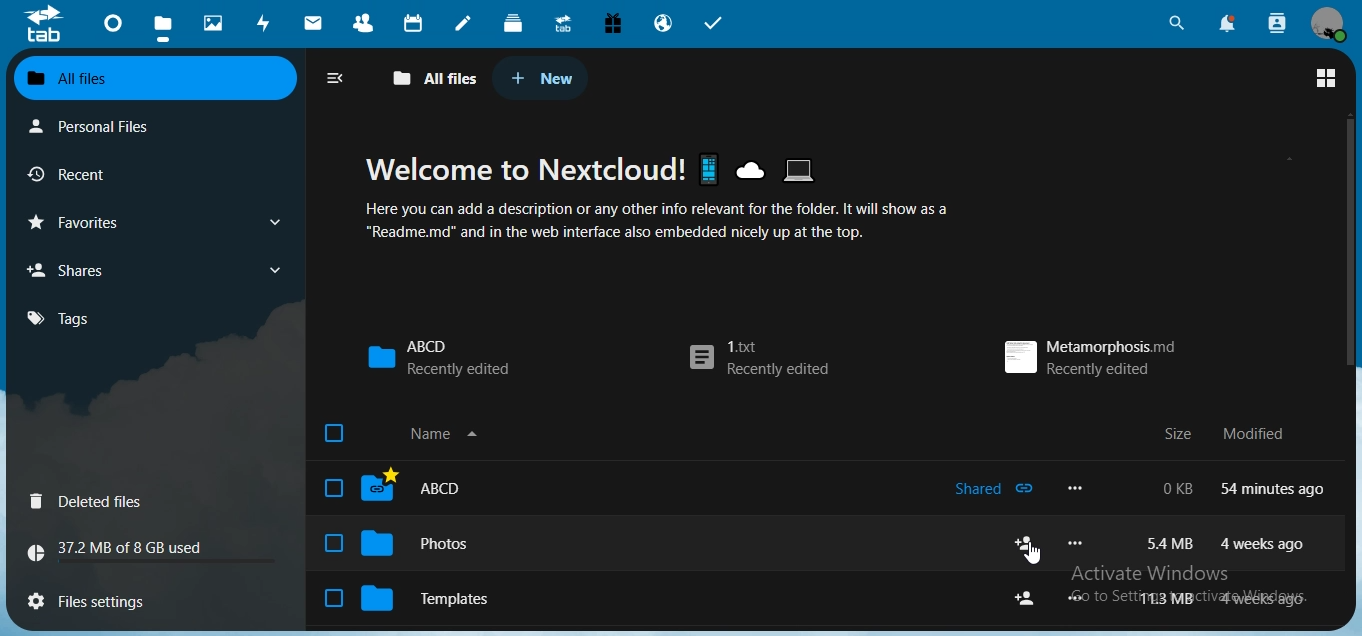 The width and height of the screenshot is (1362, 636). Describe the element at coordinates (1034, 555) in the screenshot. I see `` at that location.